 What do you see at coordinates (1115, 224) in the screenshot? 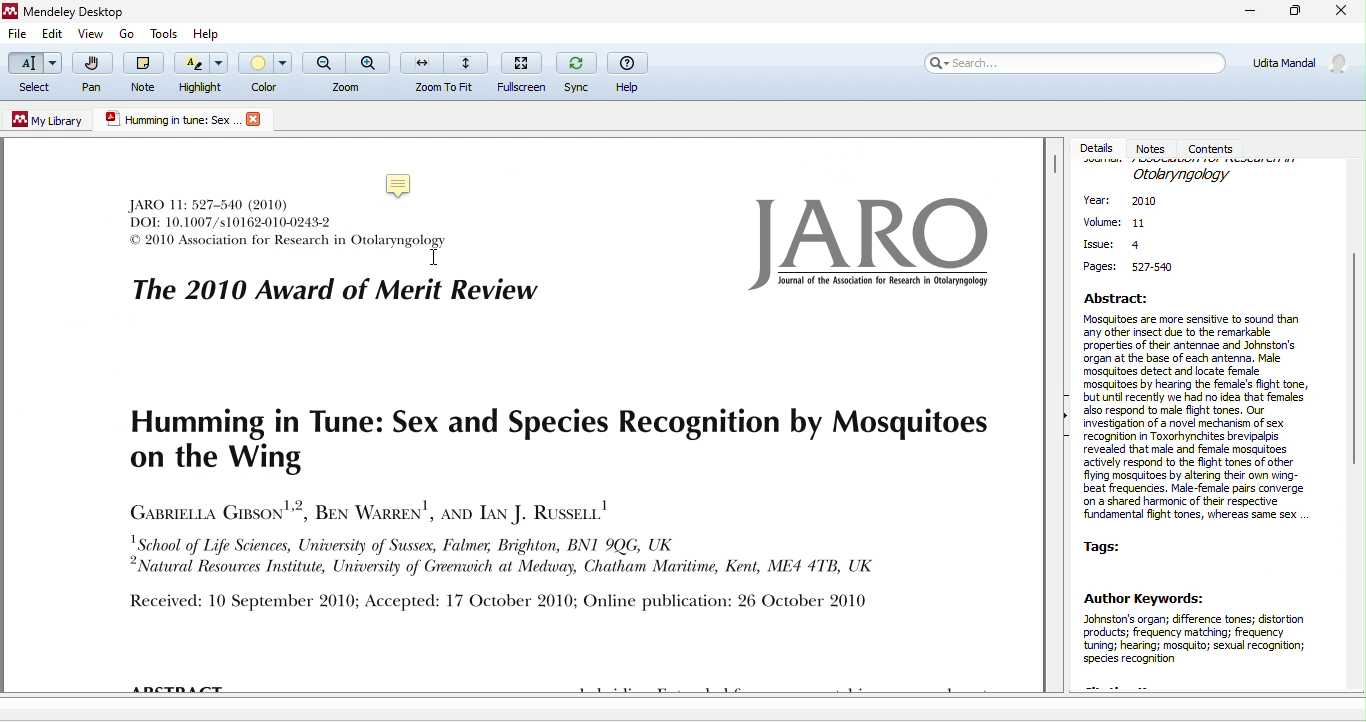
I see `volume:11` at bounding box center [1115, 224].